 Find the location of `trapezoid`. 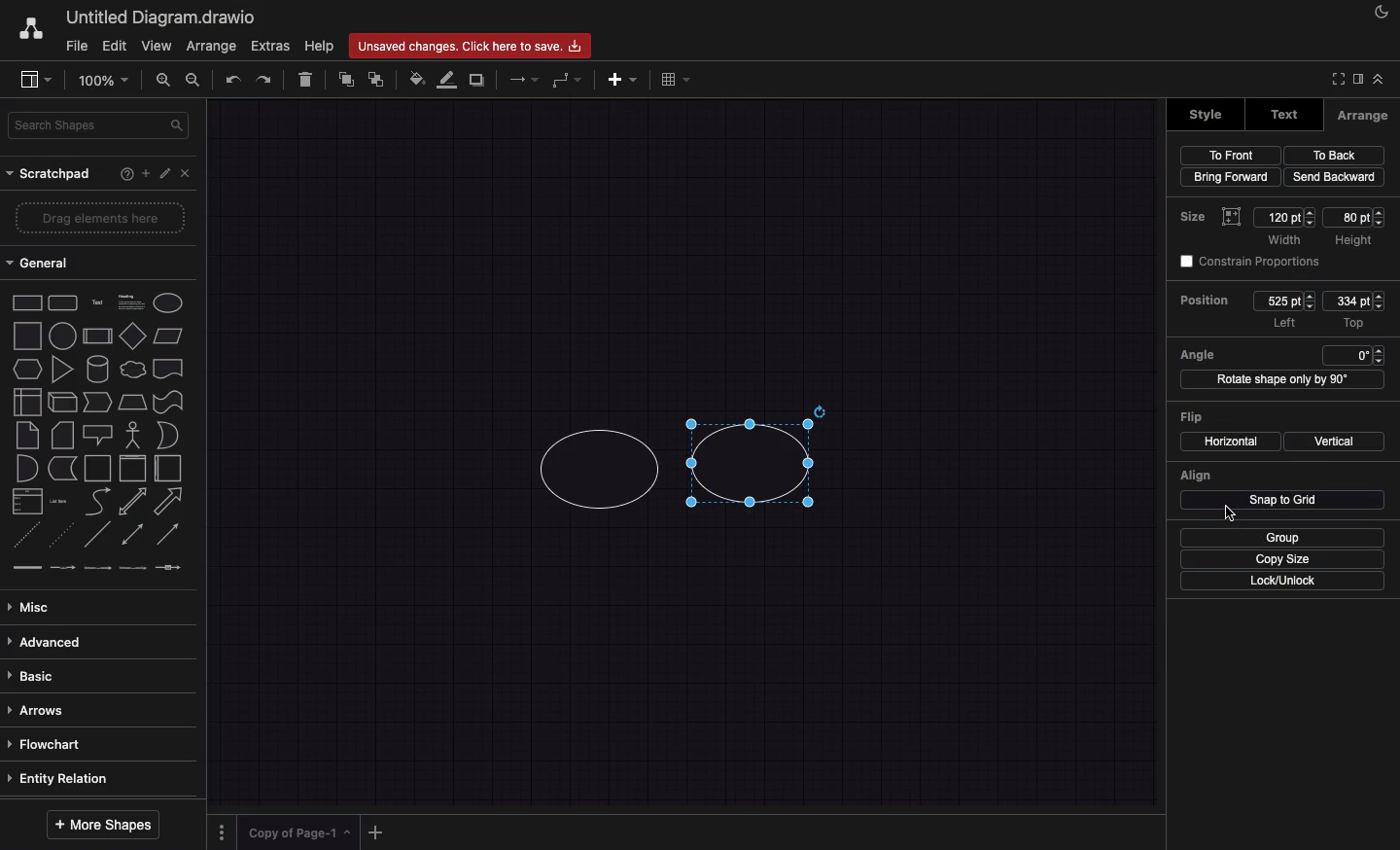

trapezoid is located at coordinates (133, 402).